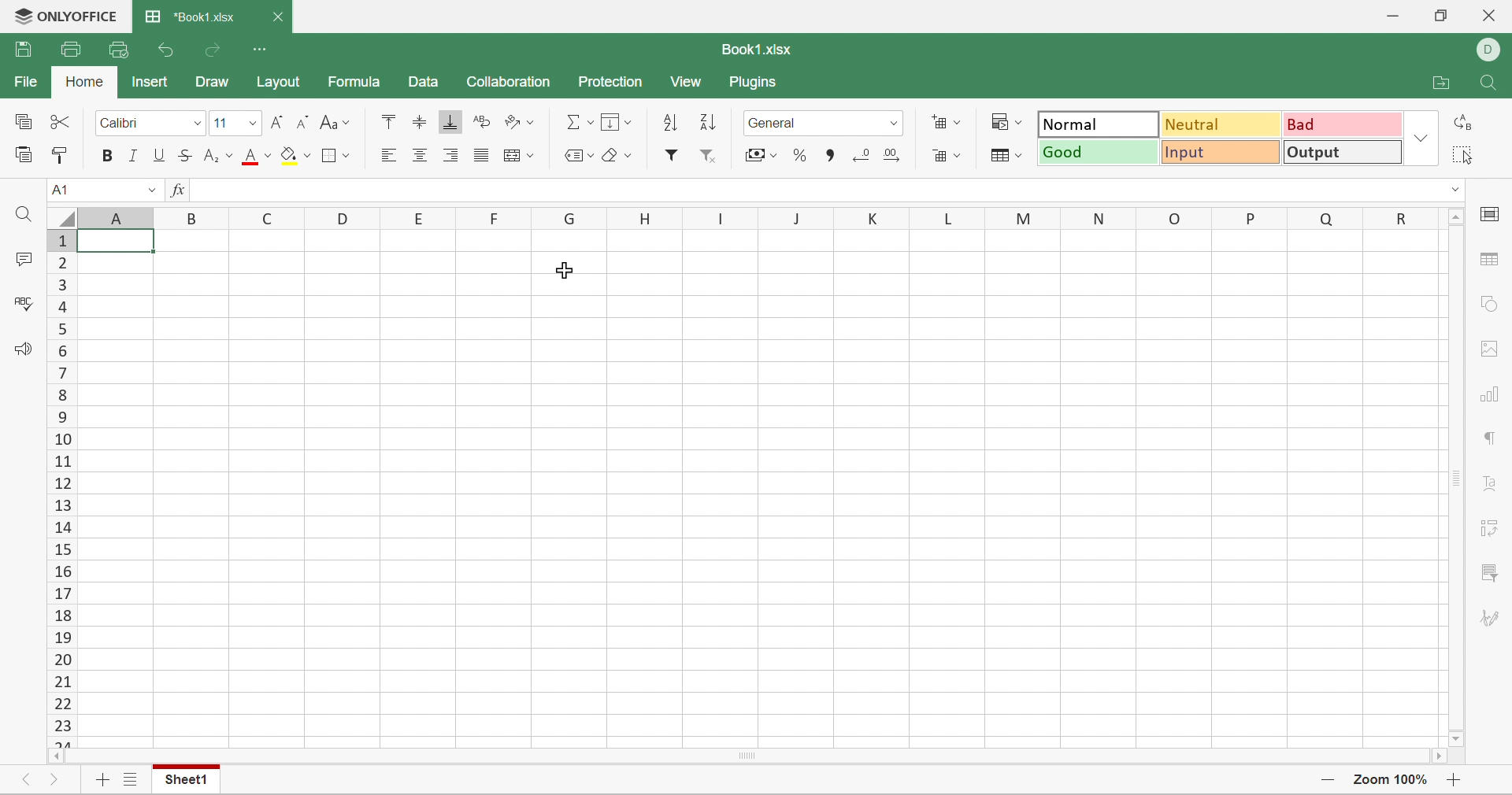 This screenshot has width=1512, height=795. What do you see at coordinates (54, 755) in the screenshot?
I see `Scroll Left` at bounding box center [54, 755].